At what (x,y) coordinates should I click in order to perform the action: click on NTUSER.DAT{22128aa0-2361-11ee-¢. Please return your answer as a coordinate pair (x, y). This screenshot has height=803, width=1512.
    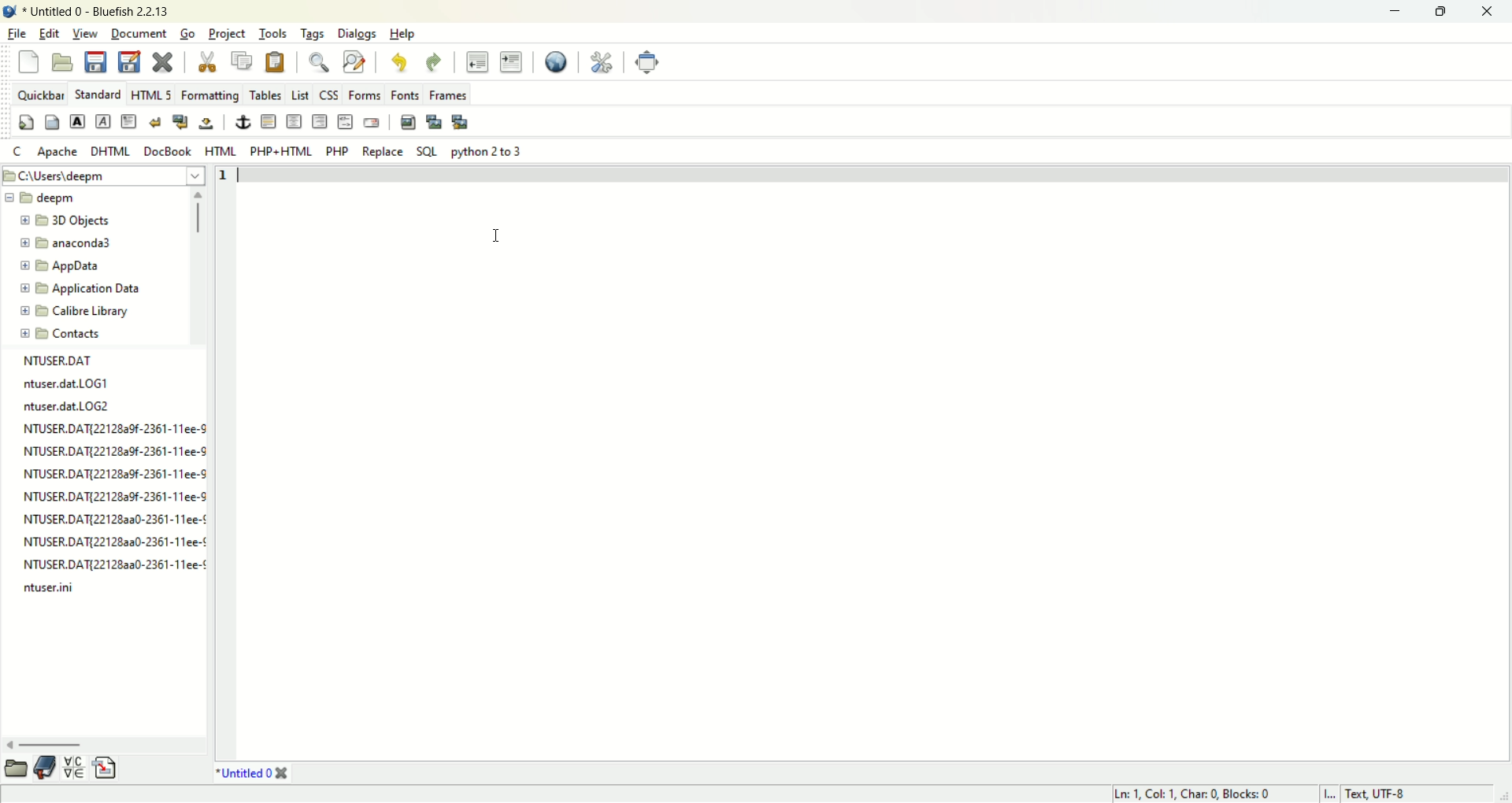
    Looking at the image, I should click on (115, 540).